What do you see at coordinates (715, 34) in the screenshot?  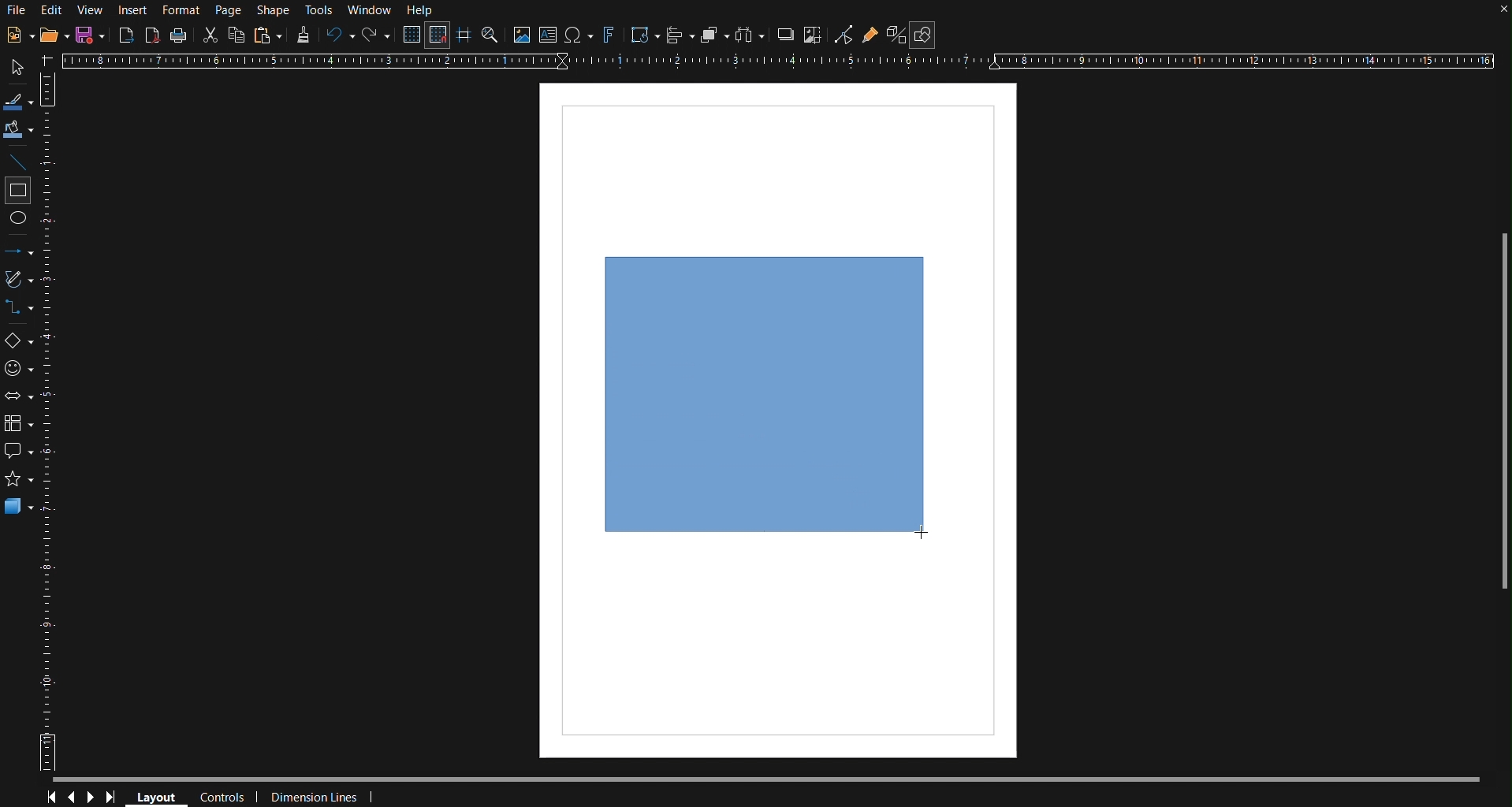 I see `Arrange` at bounding box center [715, 34].